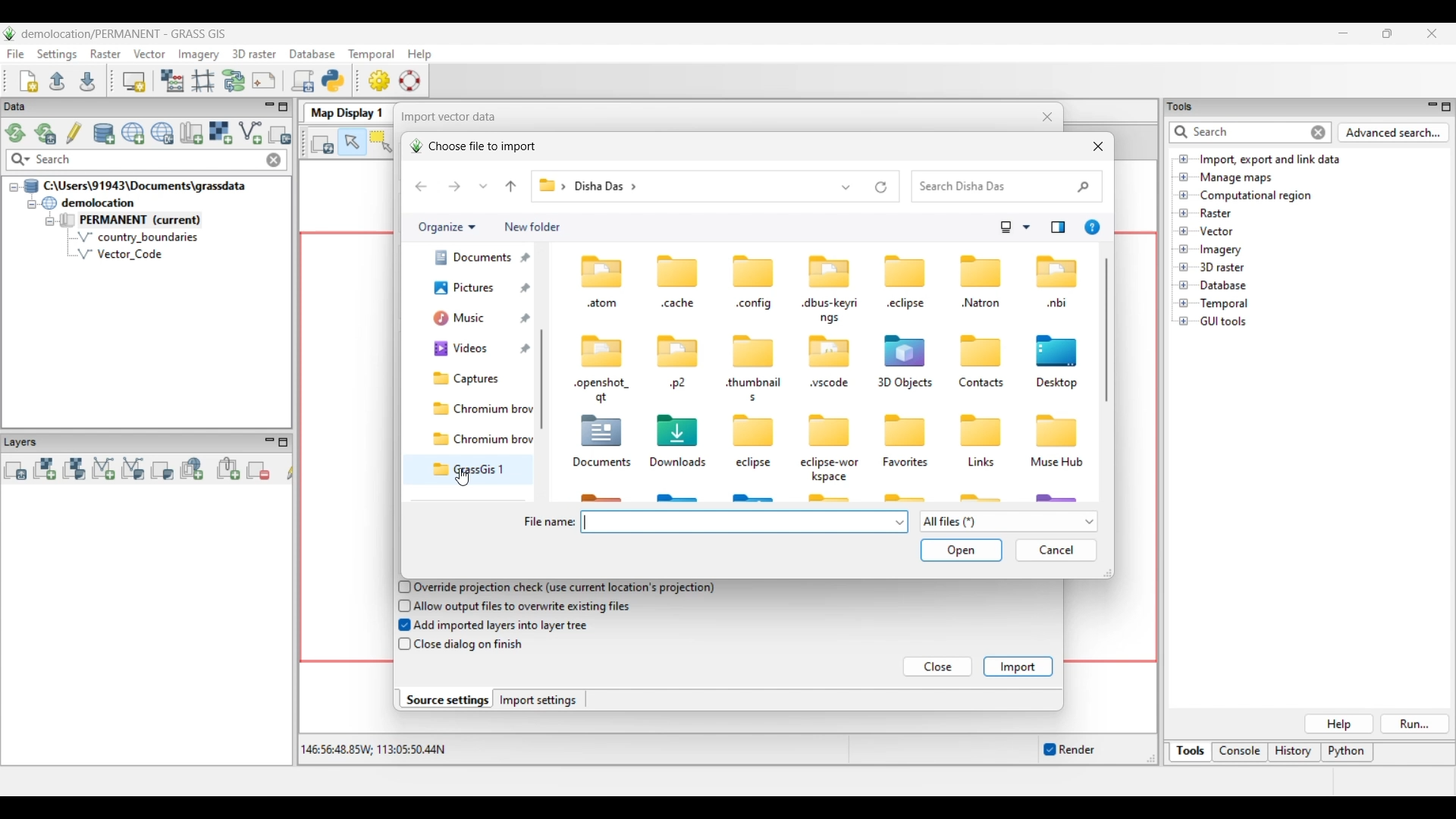 Image resolution: width=1456 pixels, height=819 pixels. I want to click on Recent locations, so click(484, 186).